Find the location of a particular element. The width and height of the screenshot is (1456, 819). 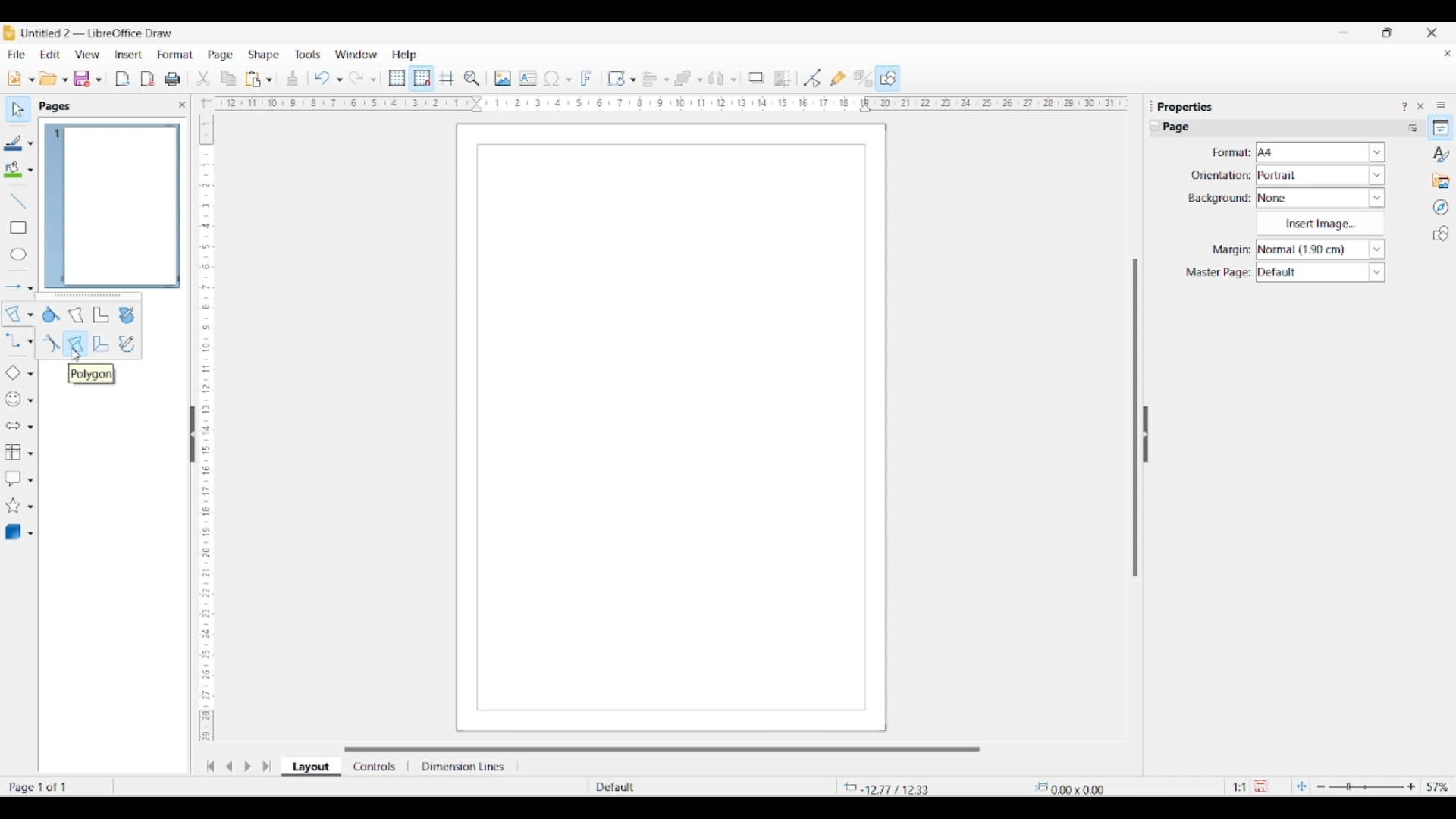

Selected polygon is located at coordinates (14, 314).